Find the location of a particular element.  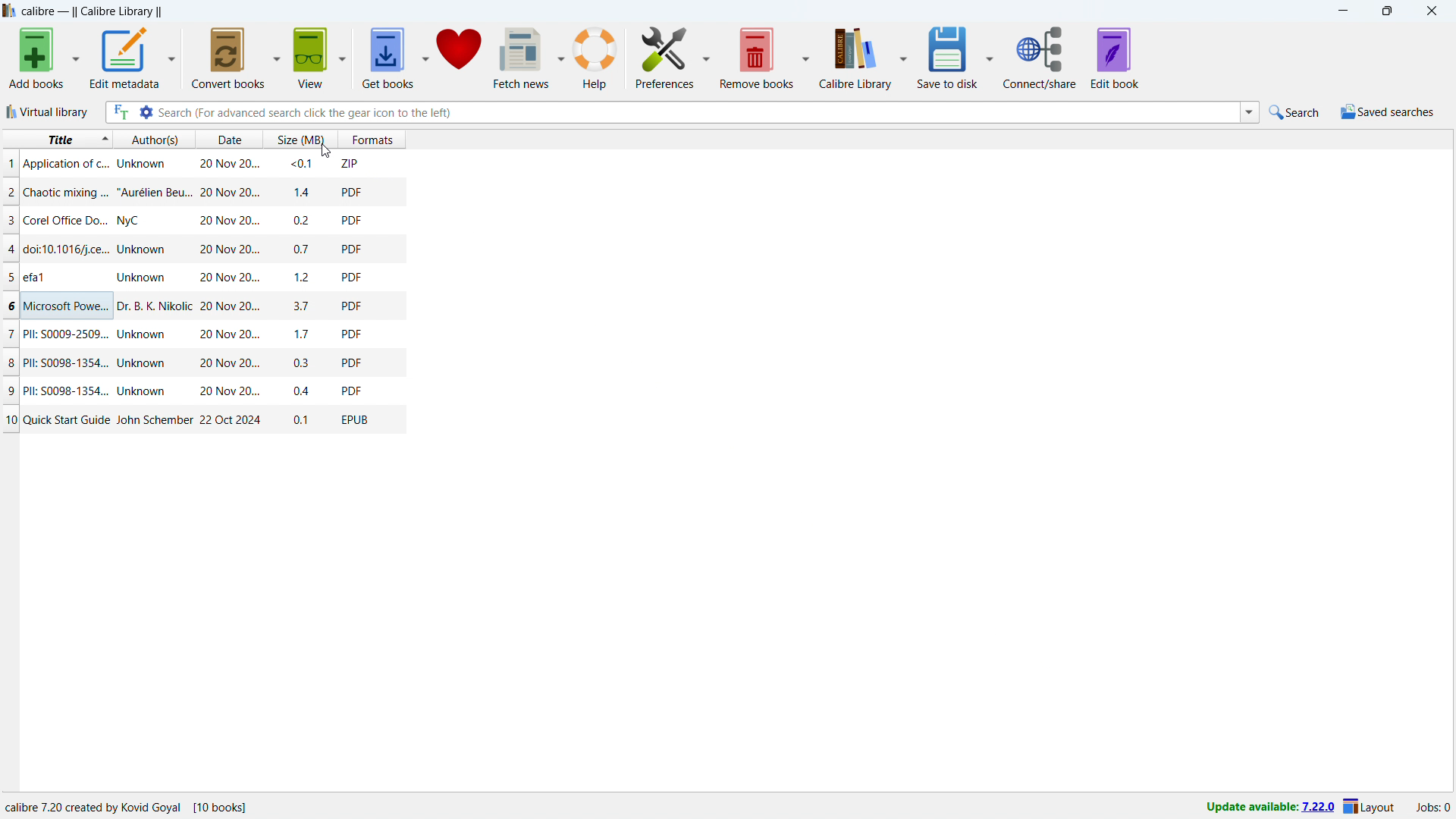

full text search is located at coordinates (118, 112).